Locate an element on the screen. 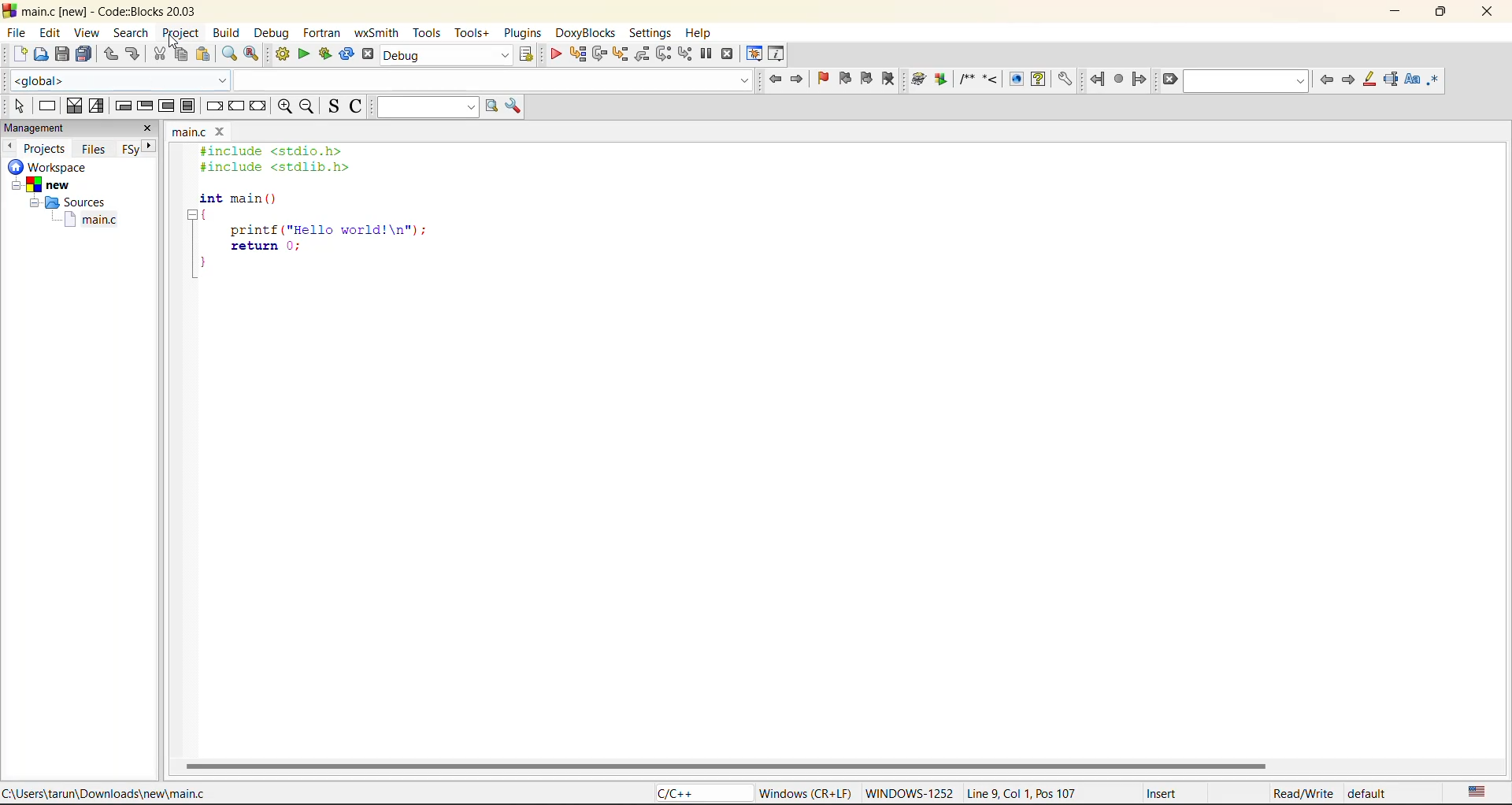  build is located at coordinates (229, 31).